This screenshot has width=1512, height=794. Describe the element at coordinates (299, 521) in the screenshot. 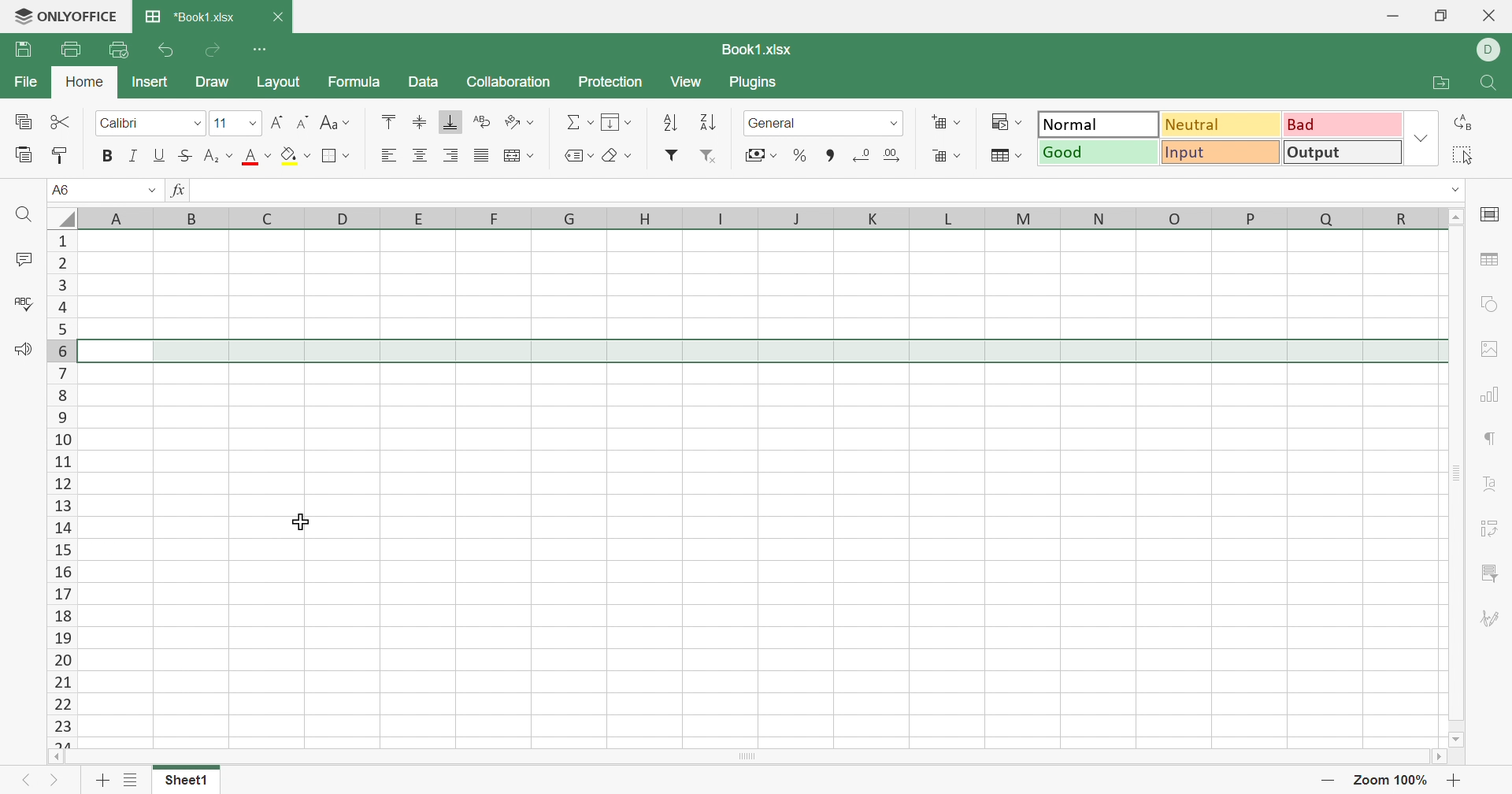

I see `Cursor` at that location.